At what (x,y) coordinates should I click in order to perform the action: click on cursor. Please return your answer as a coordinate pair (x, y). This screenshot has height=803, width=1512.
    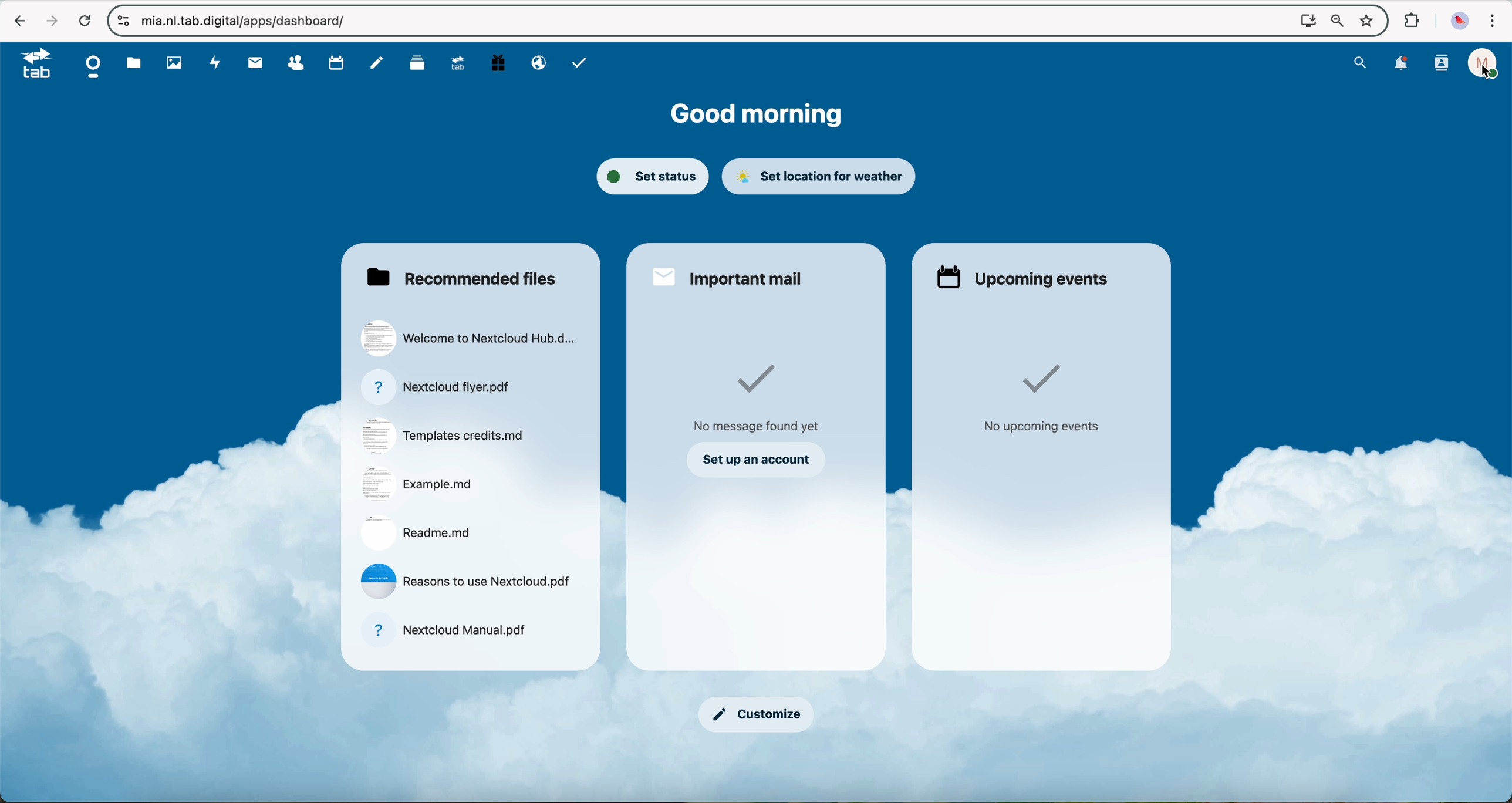
    Looking at the image, I should click on (1483, 77).